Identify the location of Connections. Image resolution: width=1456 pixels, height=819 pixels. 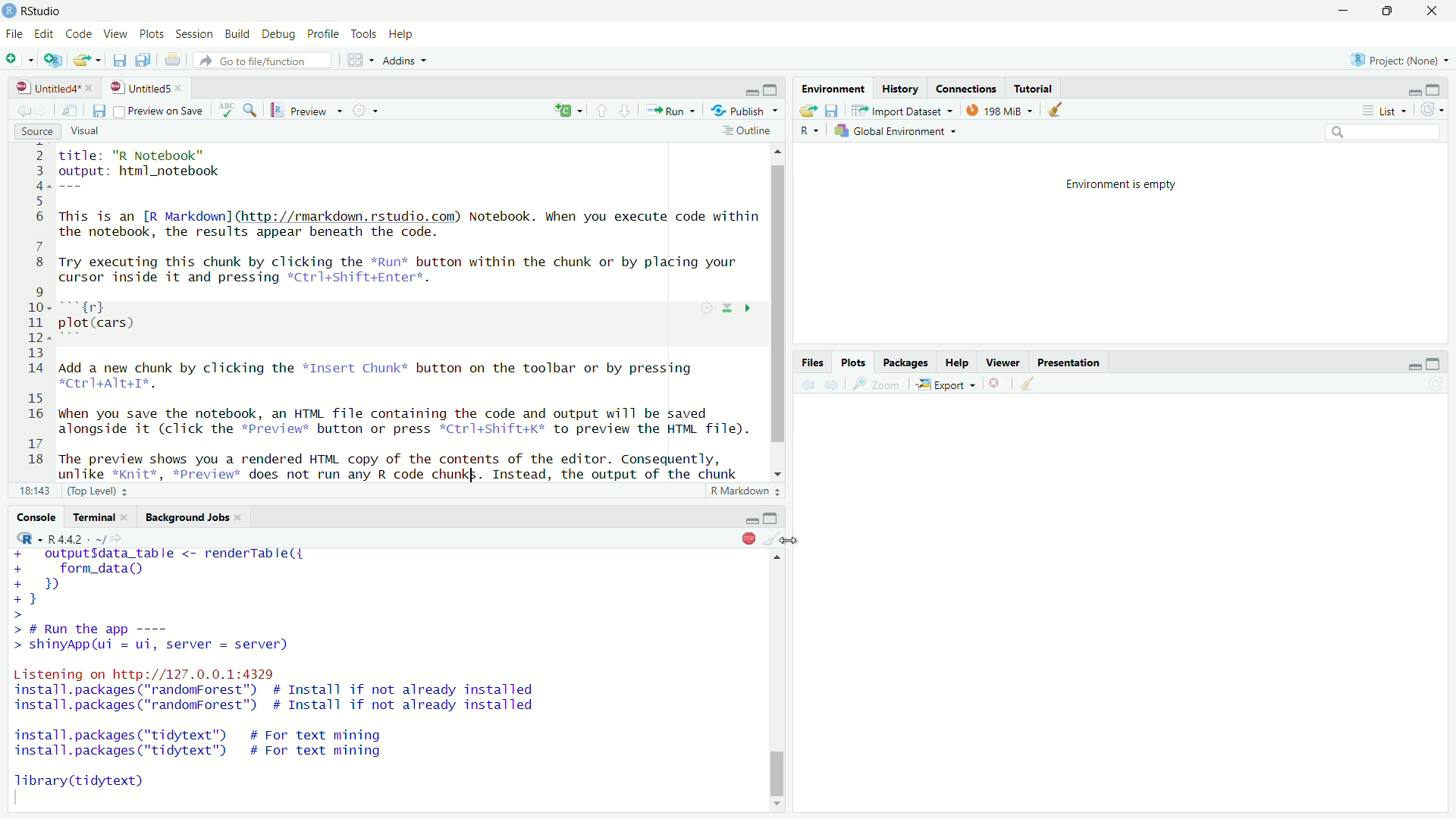
(966, 88).